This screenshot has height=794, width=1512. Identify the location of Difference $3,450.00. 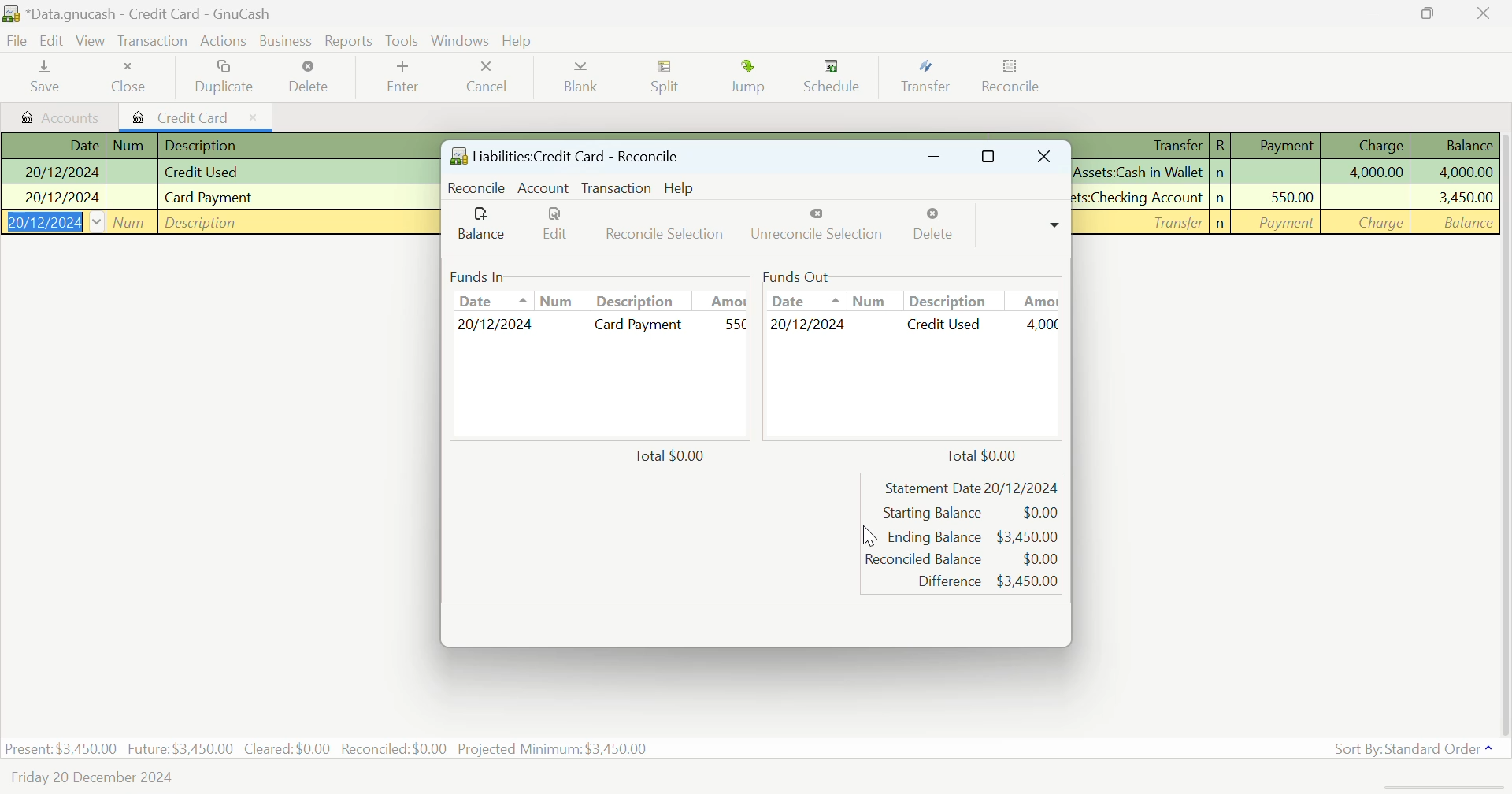
(988, 581).